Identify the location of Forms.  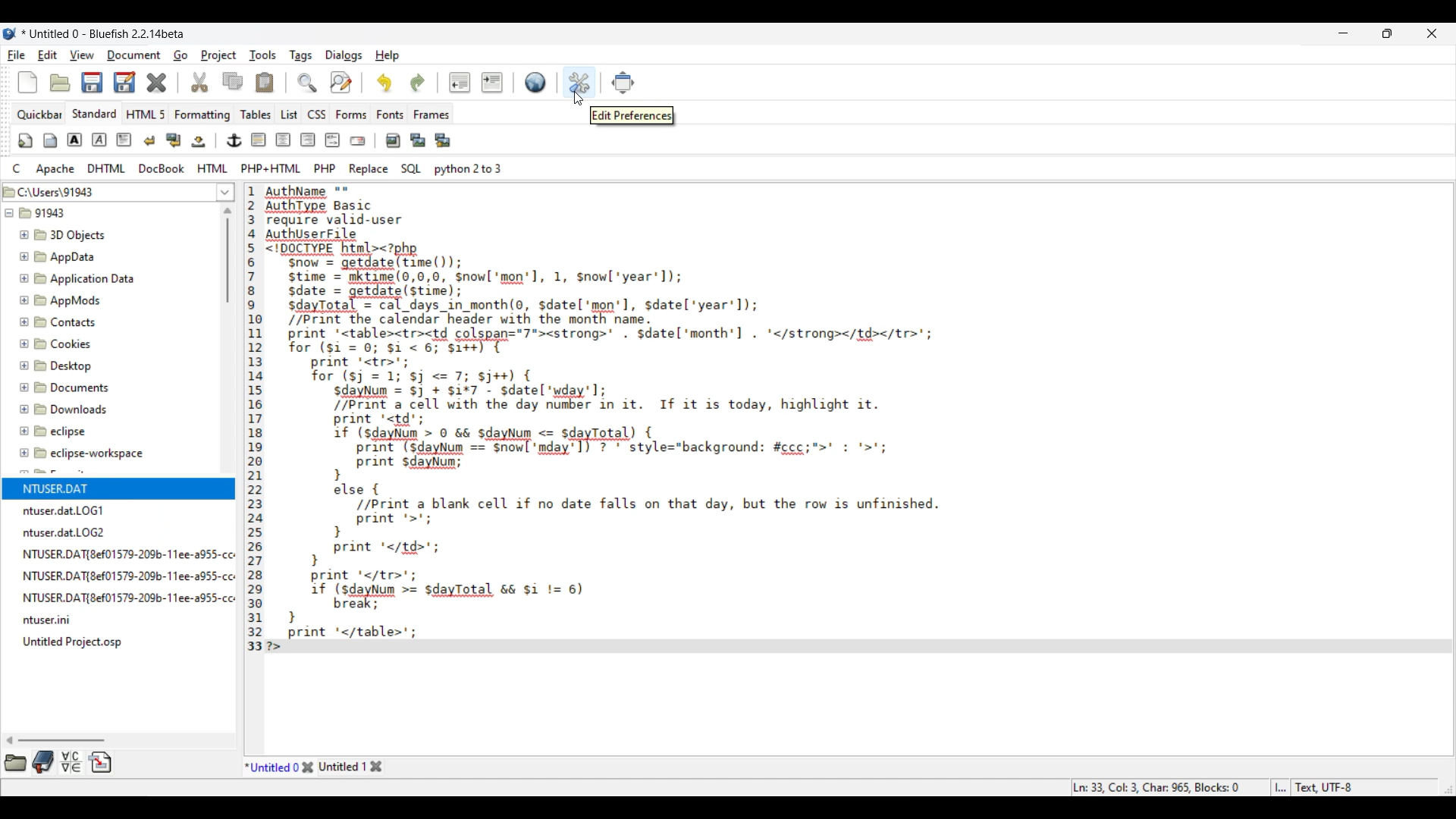
(352, 115).